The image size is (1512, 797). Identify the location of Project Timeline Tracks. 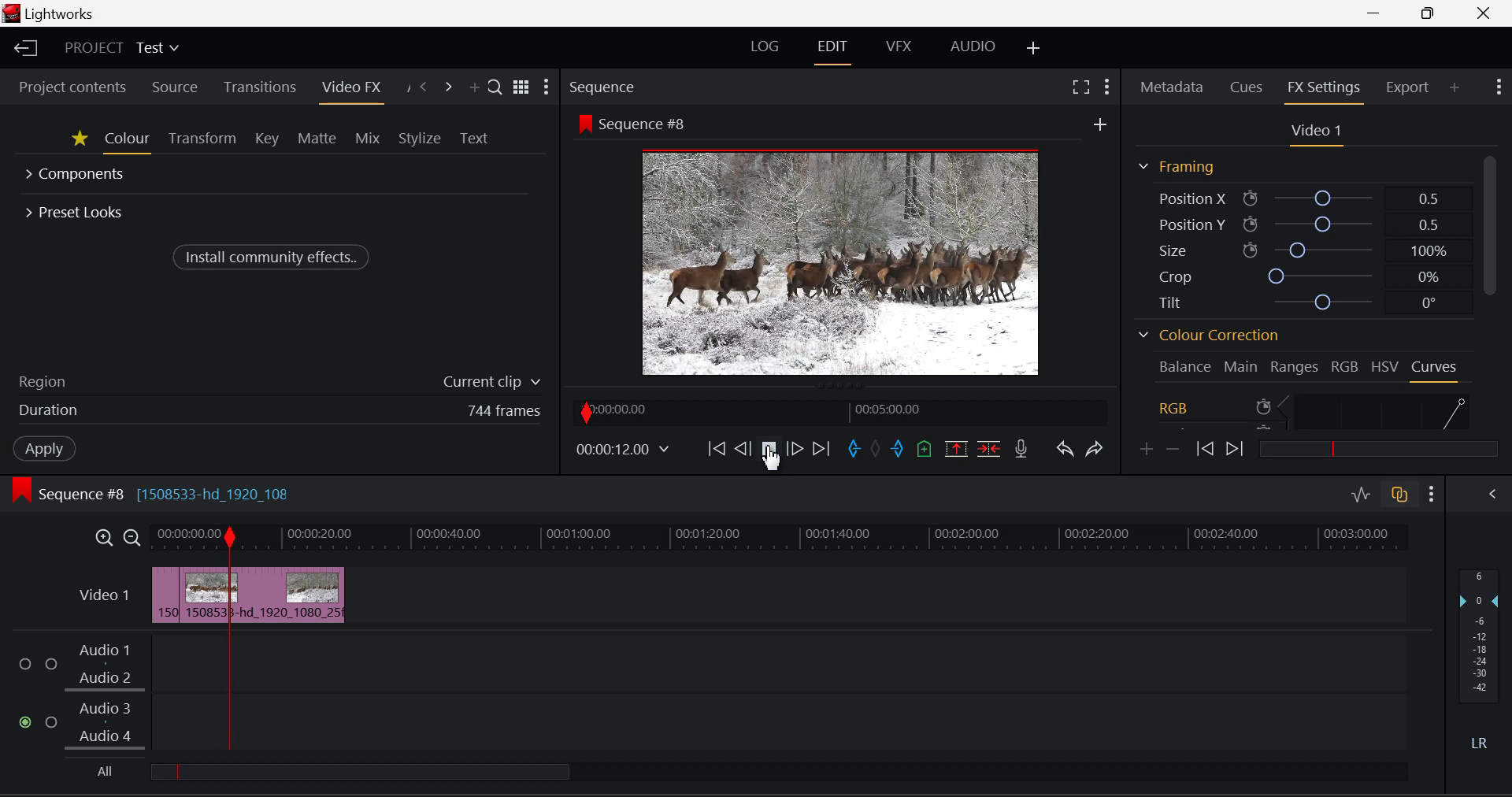
(780, 539).